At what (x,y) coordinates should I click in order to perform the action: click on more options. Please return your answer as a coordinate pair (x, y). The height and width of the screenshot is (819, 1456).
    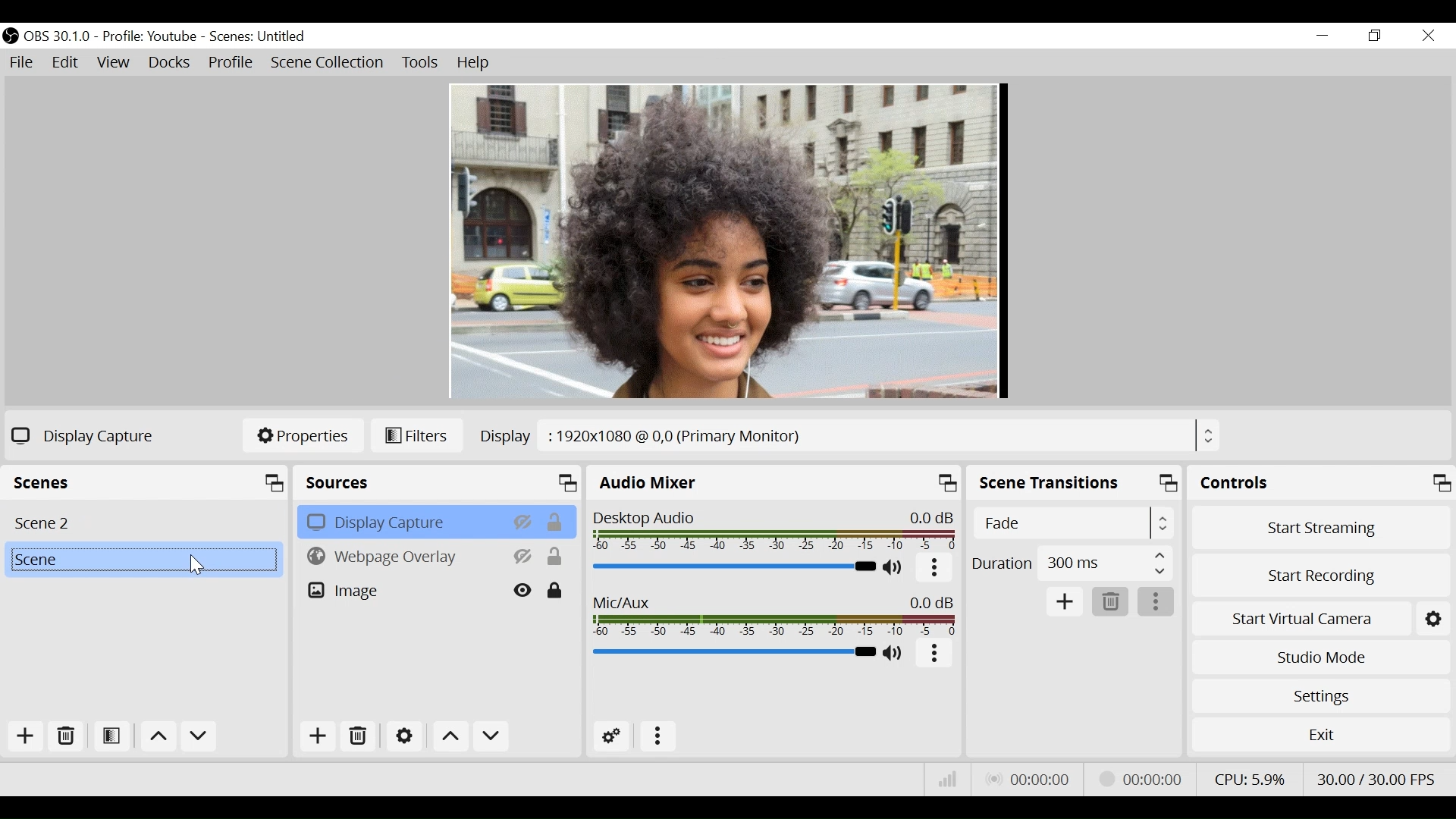
    Looking at the image, I should click on (1156, 601).